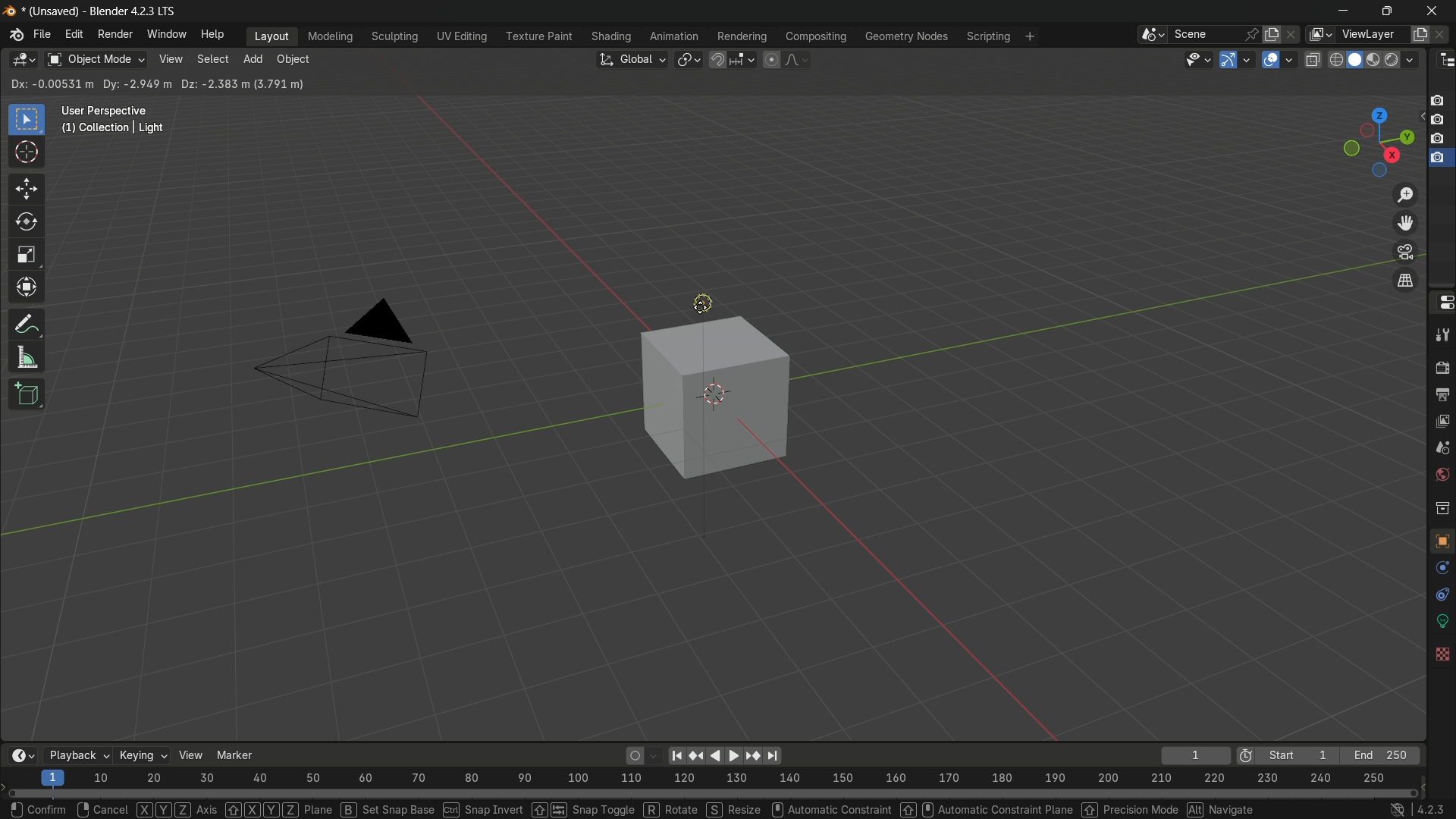 The width and height of the screenshot is (1456, 819). What do you see at coordinates (386, 809) in the screenshot?
I see `Set Snap Base` at bounding box center [386, 809].